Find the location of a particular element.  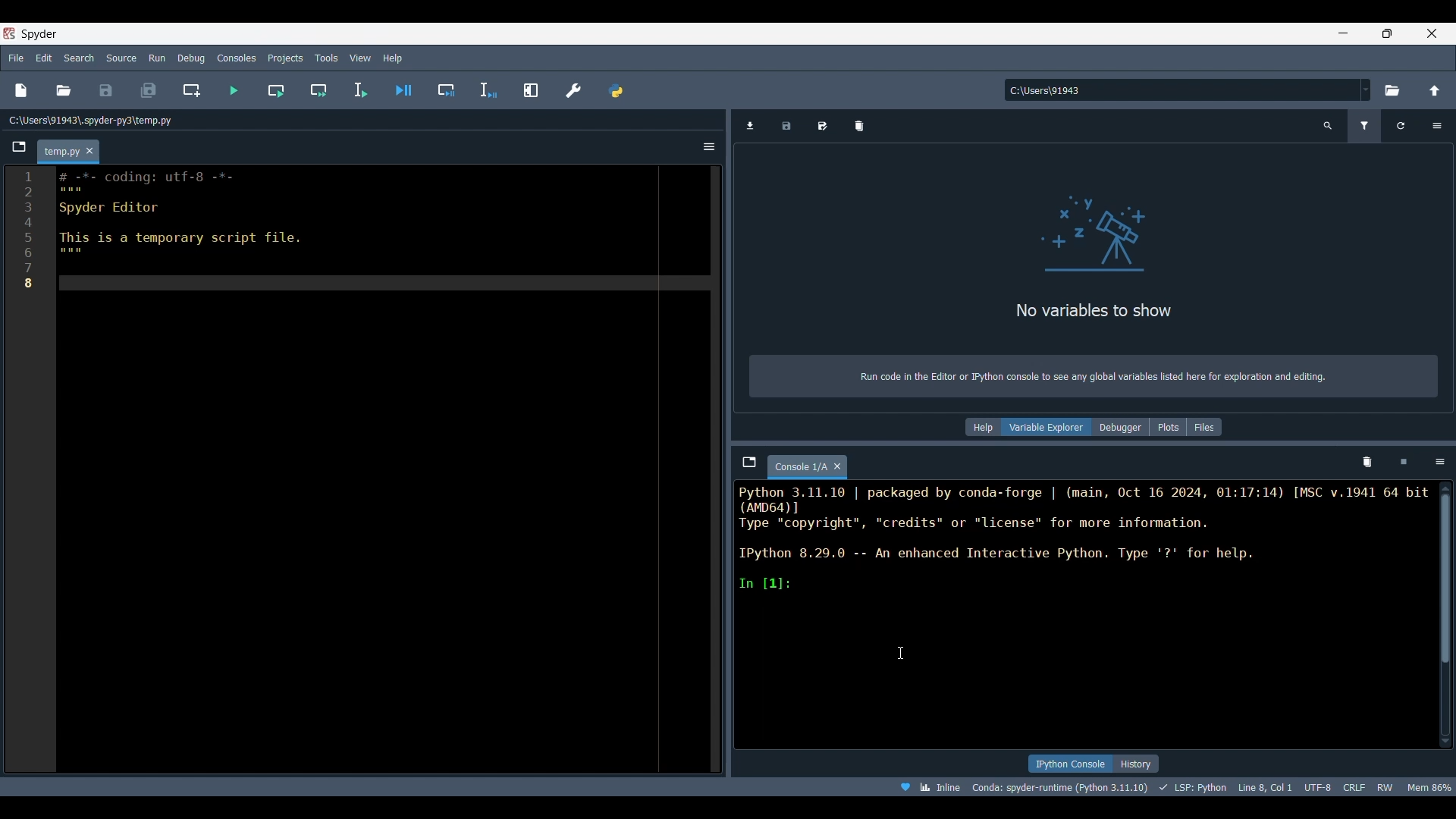

Plots is located at coordinates (1168, 427).